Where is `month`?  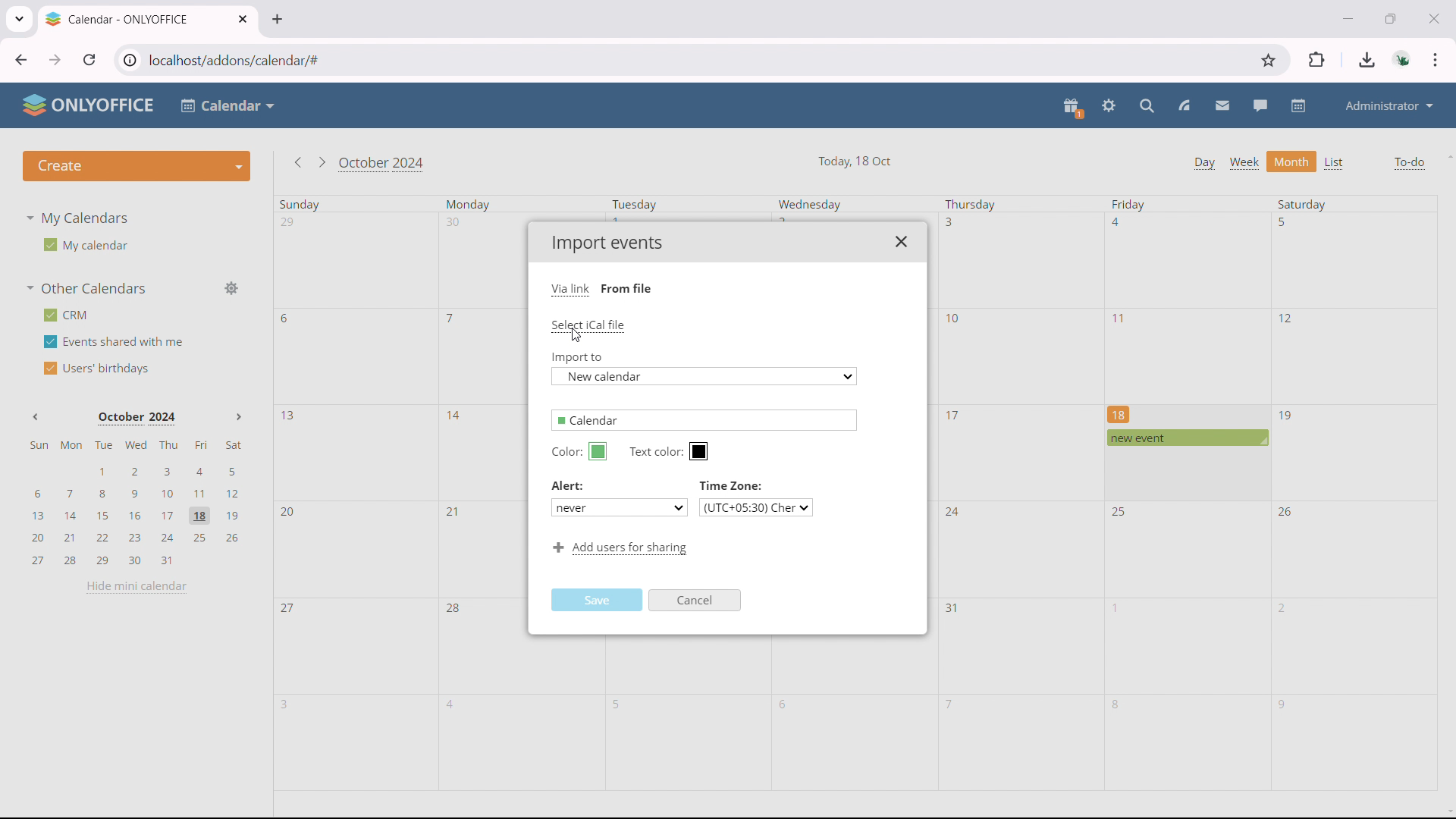
month is located at coordinates (1292, 162).